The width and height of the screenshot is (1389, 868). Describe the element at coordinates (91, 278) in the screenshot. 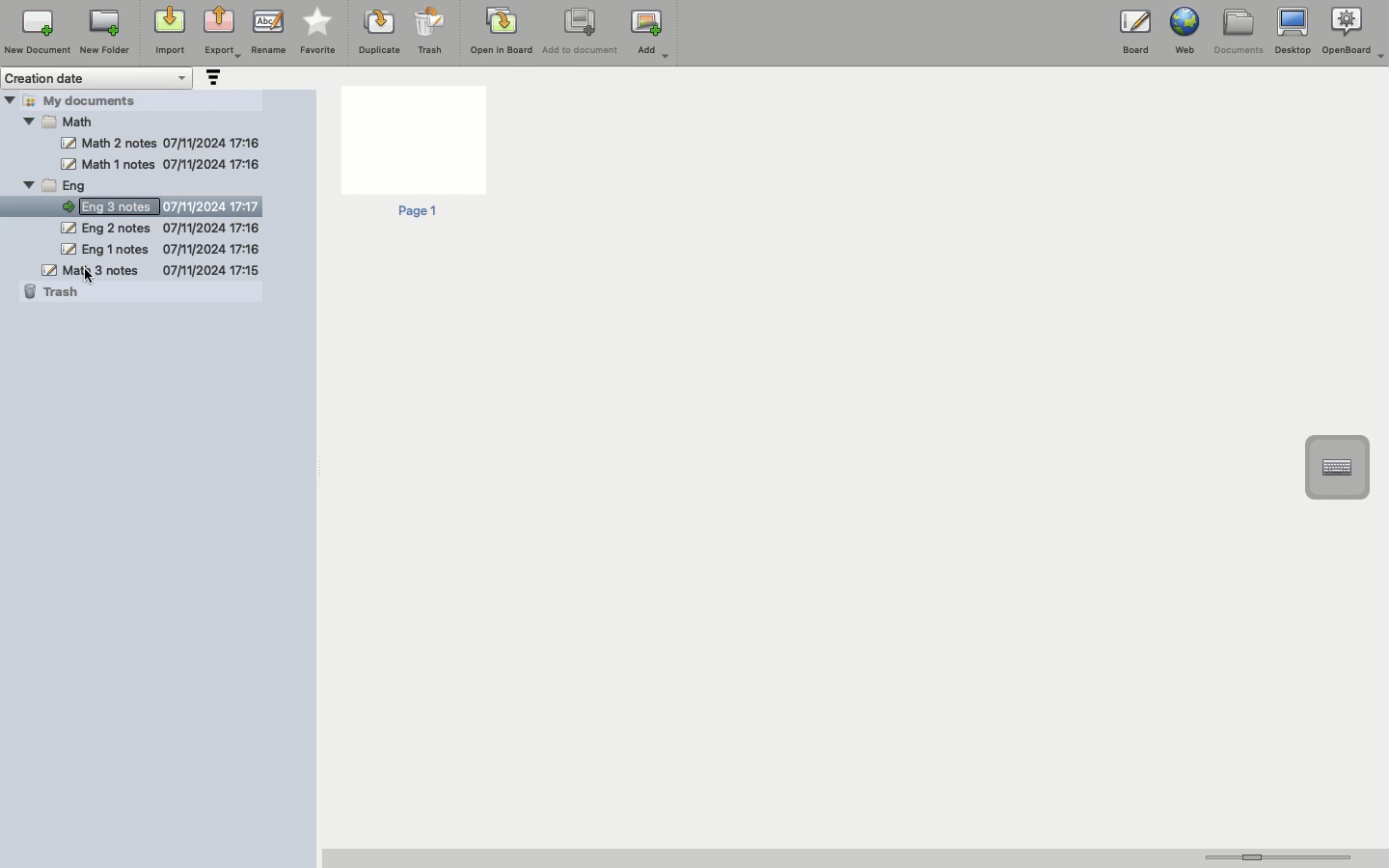

I see `cursor` at that location.